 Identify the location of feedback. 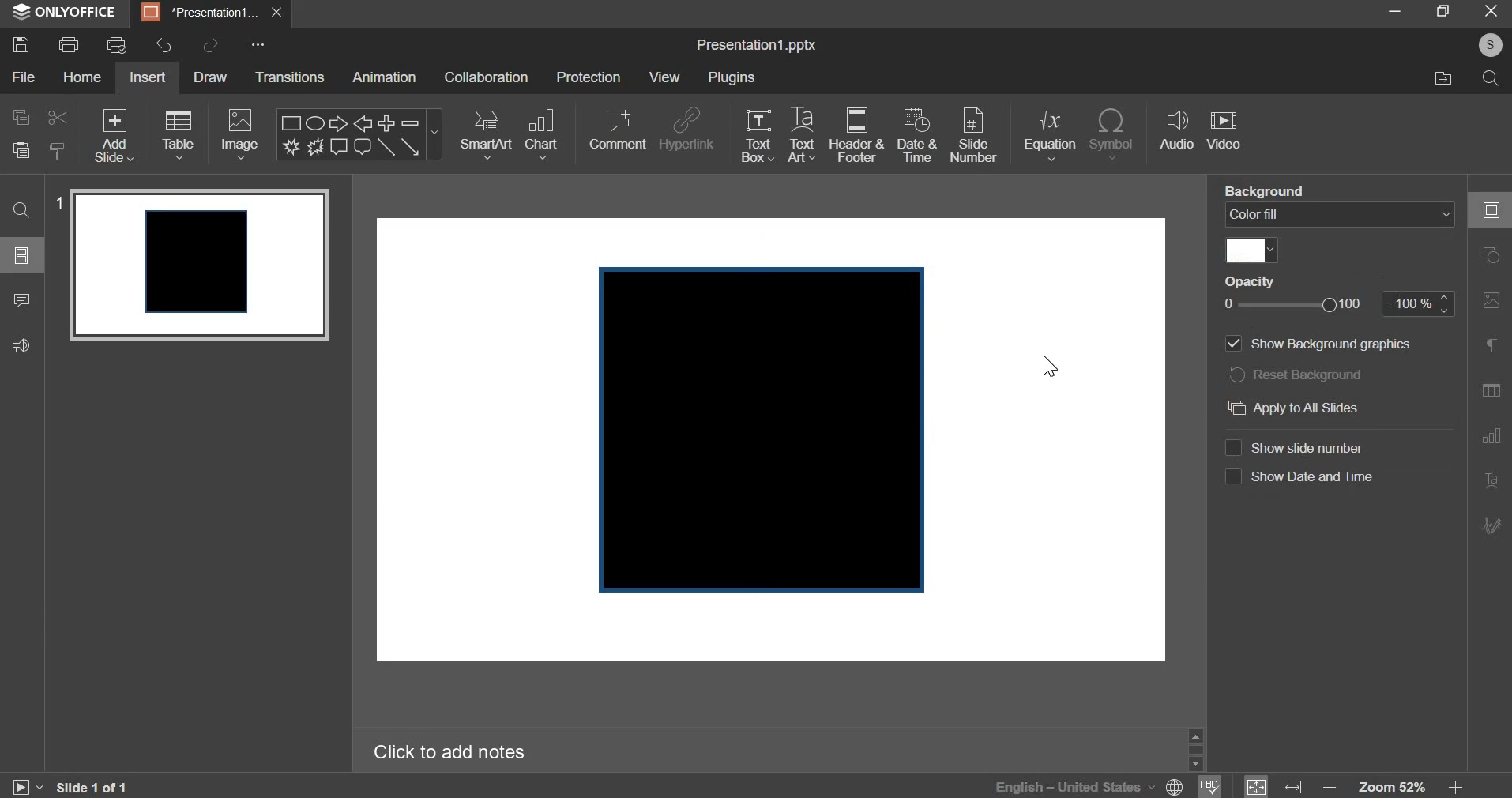
(20, 344).